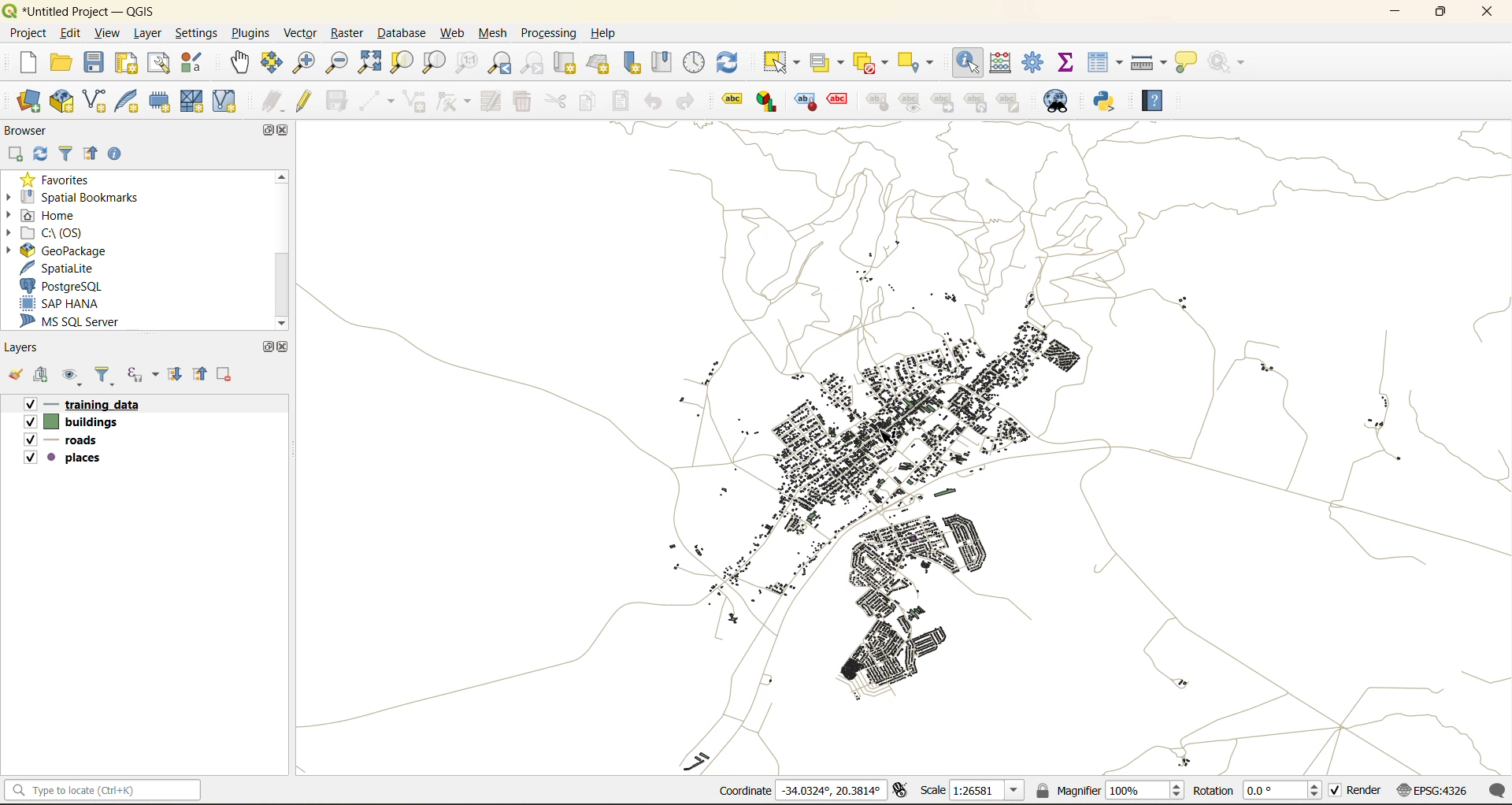 The height and width of the screenshot is (805, 1512). Describe the element at coordinates (109, 32) in the screenshot. I see `view` at that location.